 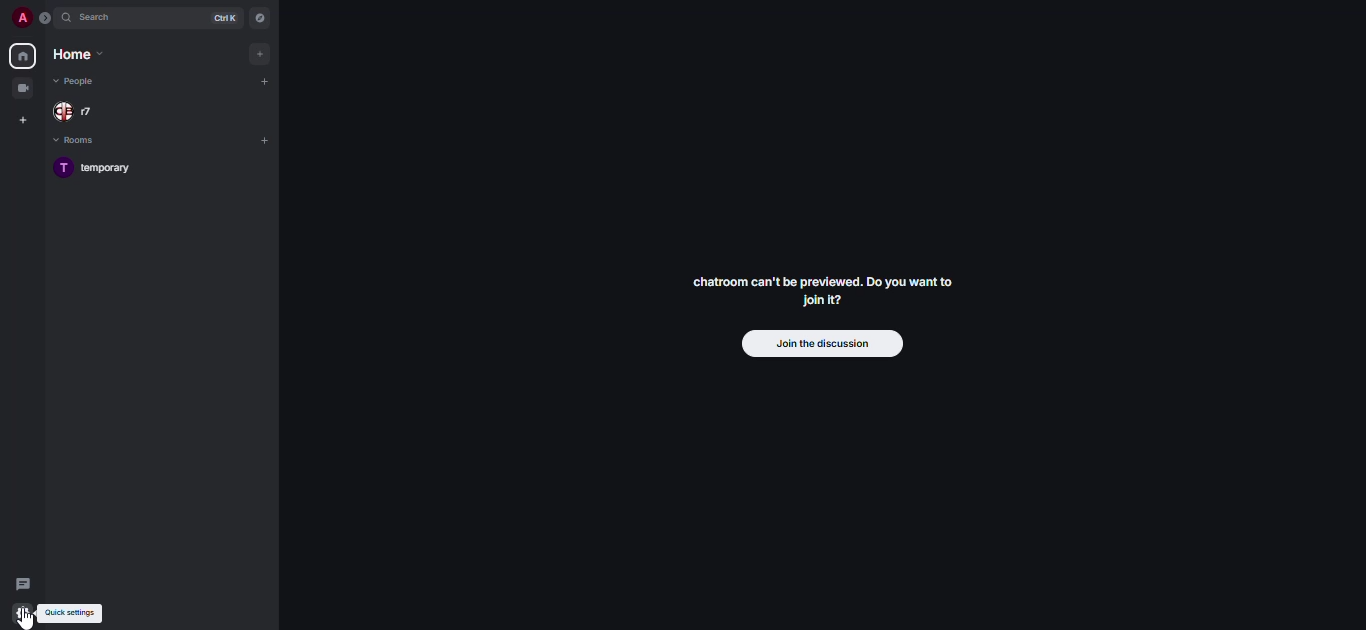 I want to click on home, so click(x=21, y=56).